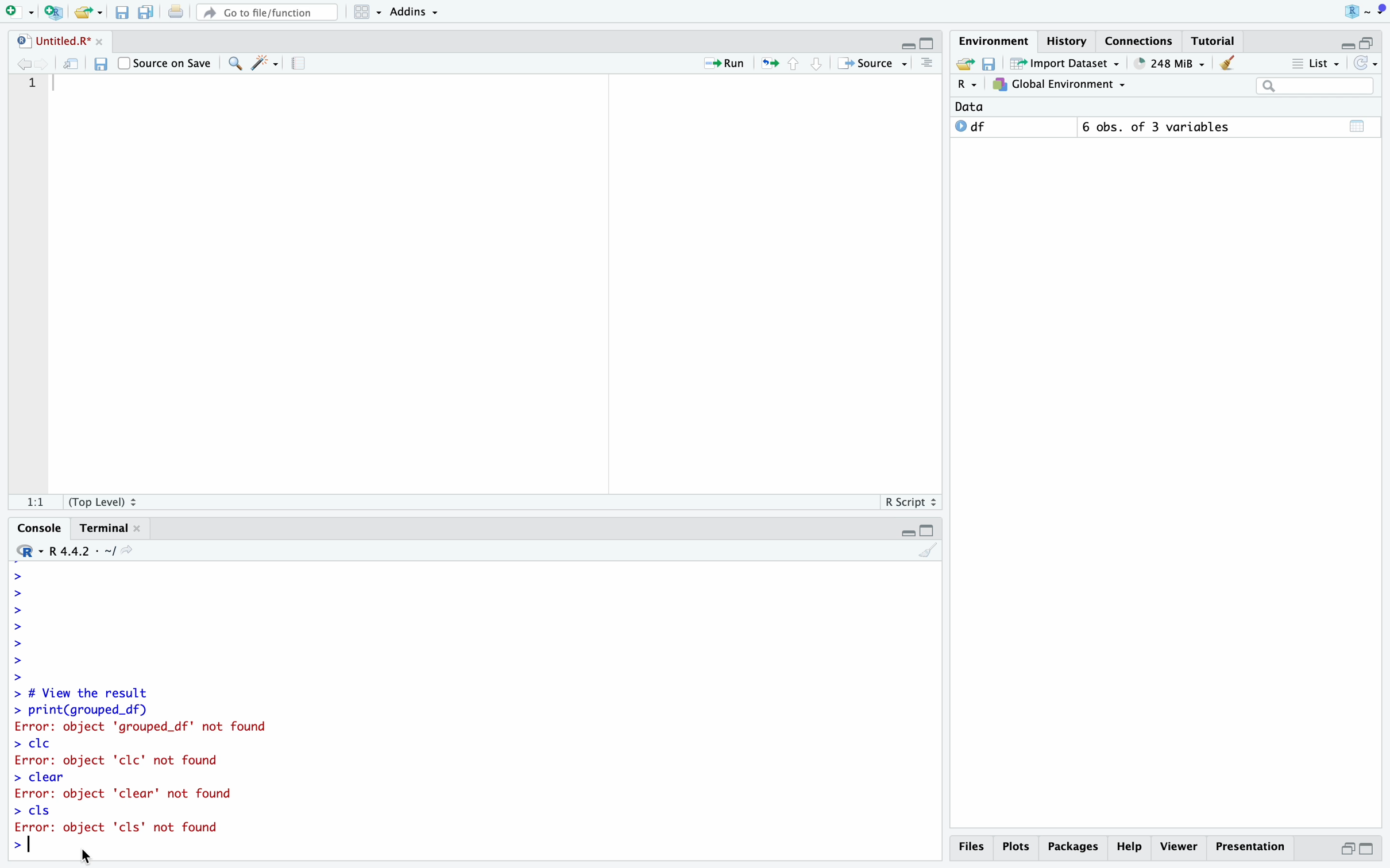  What do you see at coordinates (21, 11) in the screenshot?
I see `Open new file` at bounding box center [21, 11].